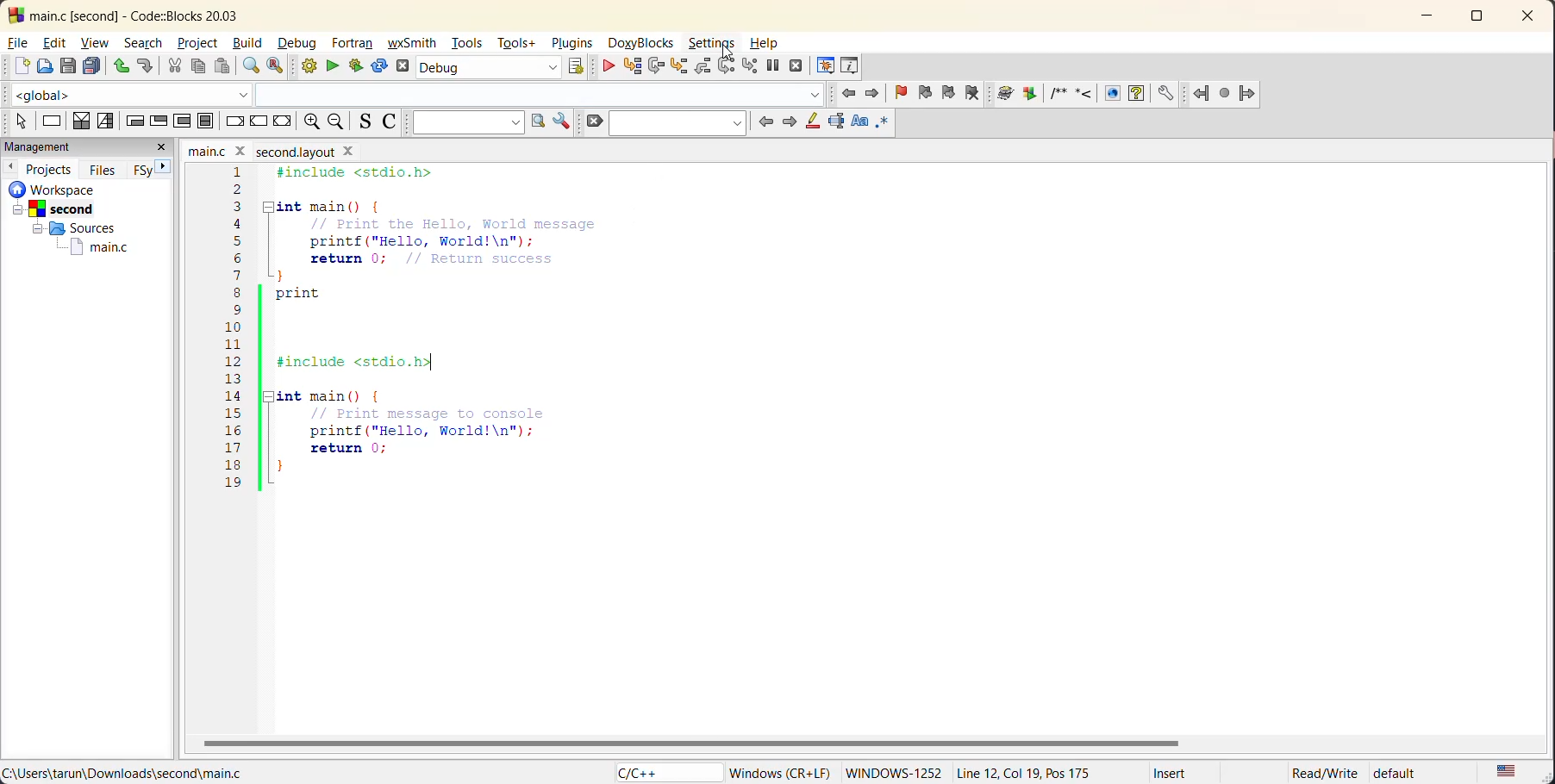  Describe the element at coordinates (146, 68) in the screenshot. I see `redo` at that location.